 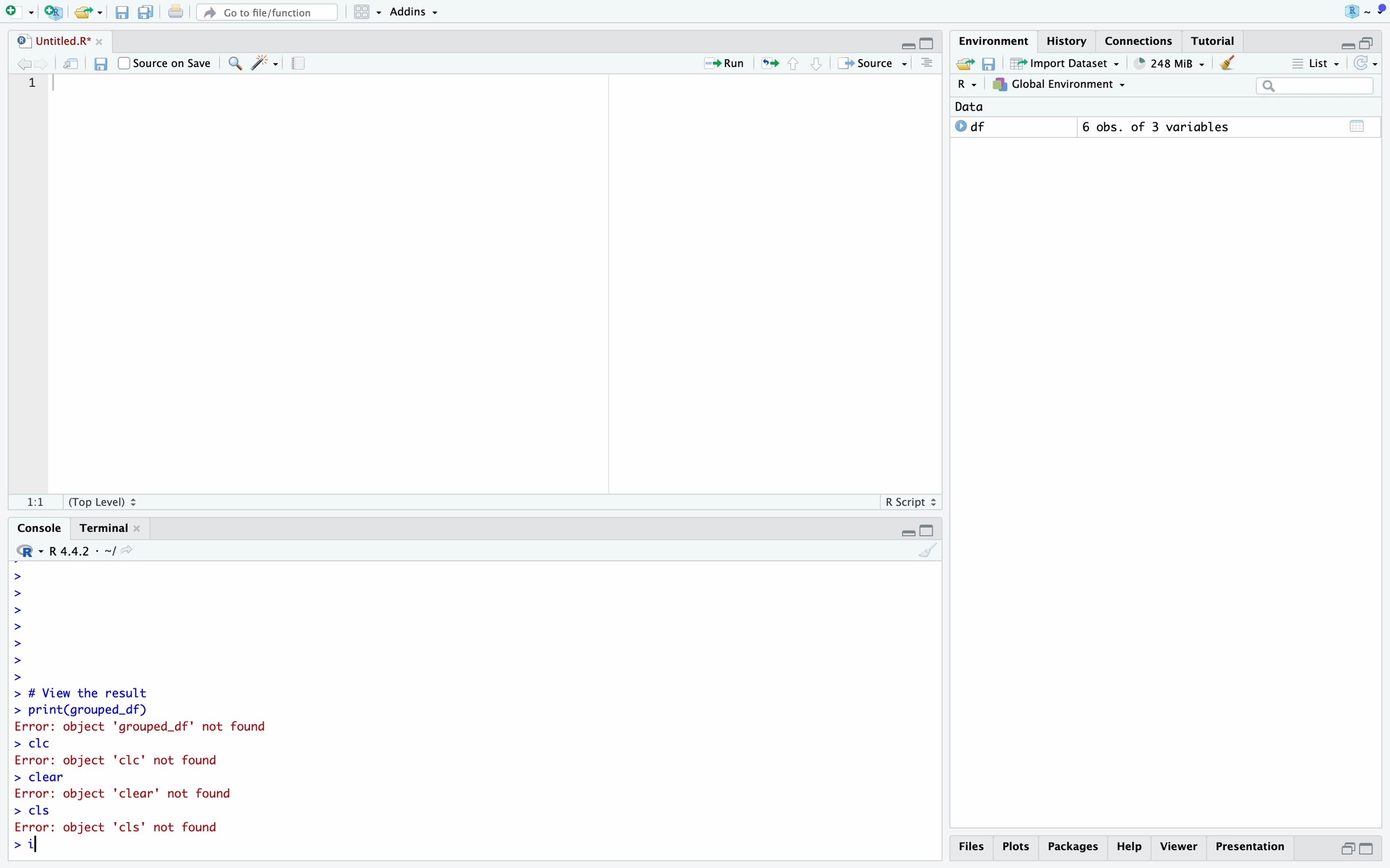 What do you see at coordinates (500, 282) in the screenshot?
I see `Code Editor` at bounding box center [500, 282].